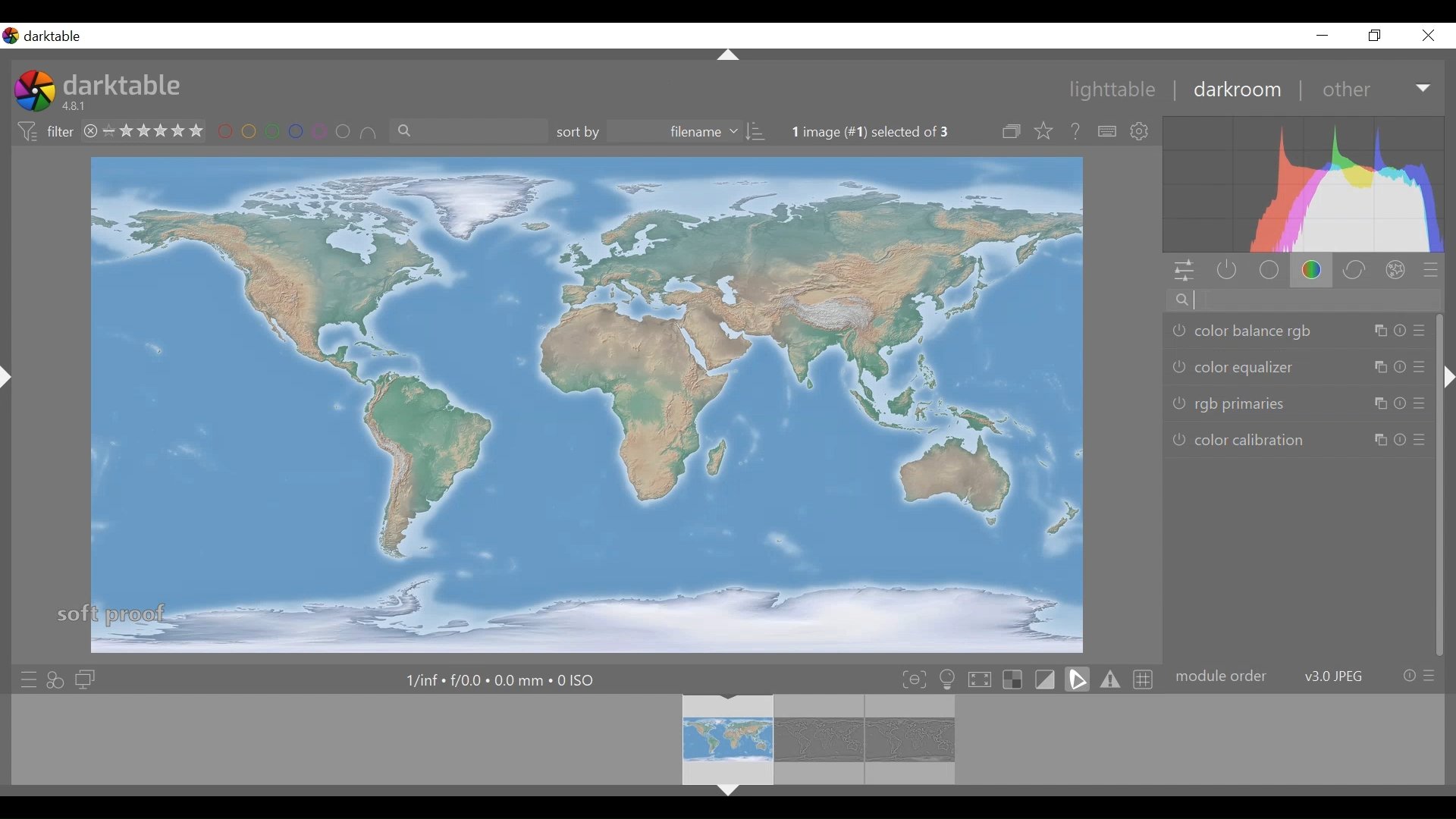 The image size is (1456, 819). What do you see at coordinates (42, 132) in the screenshot?
I see `filter` at bounding box center [42, 132].